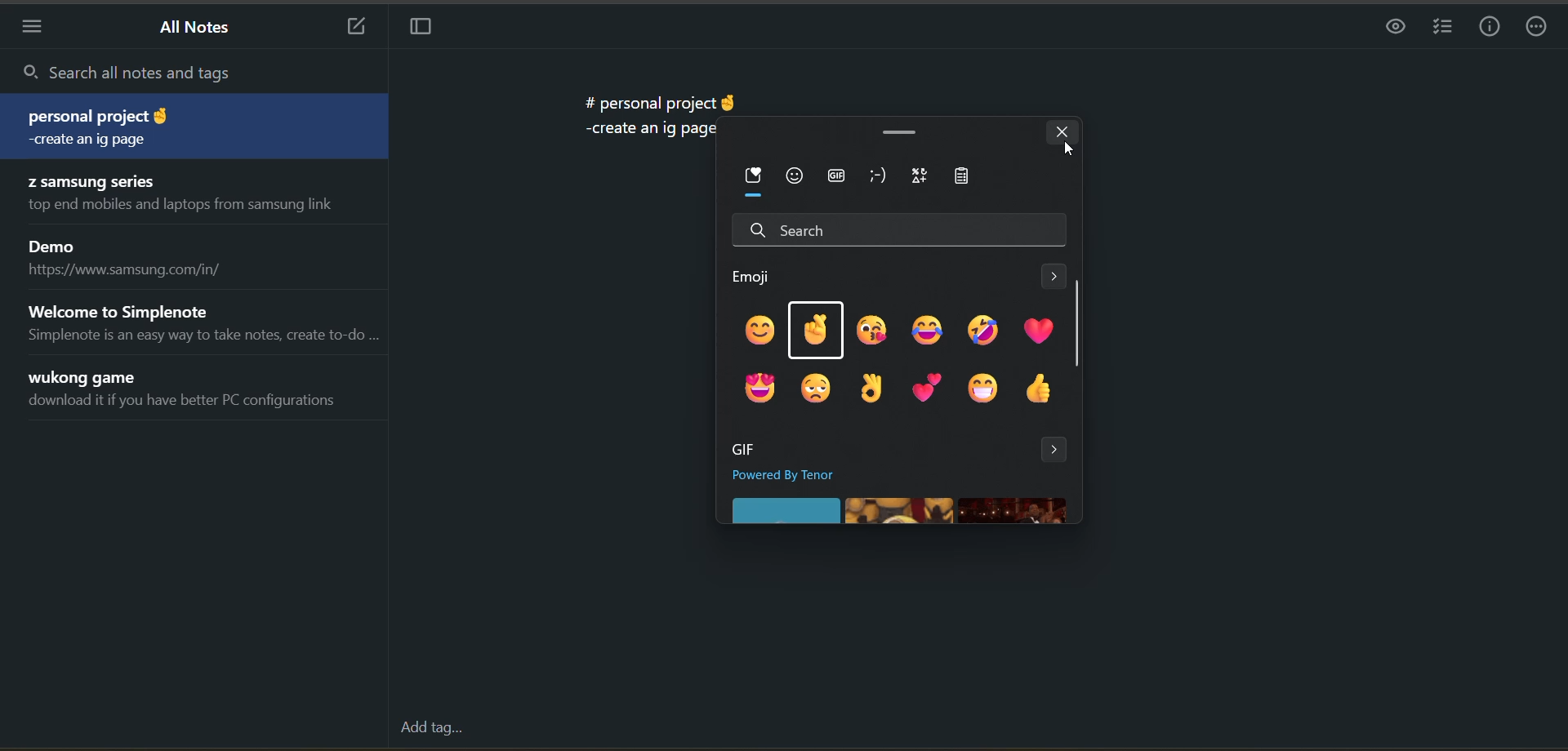 This screenshot has width=1568, height=751. I want to click on preview, so click(1394, 26).